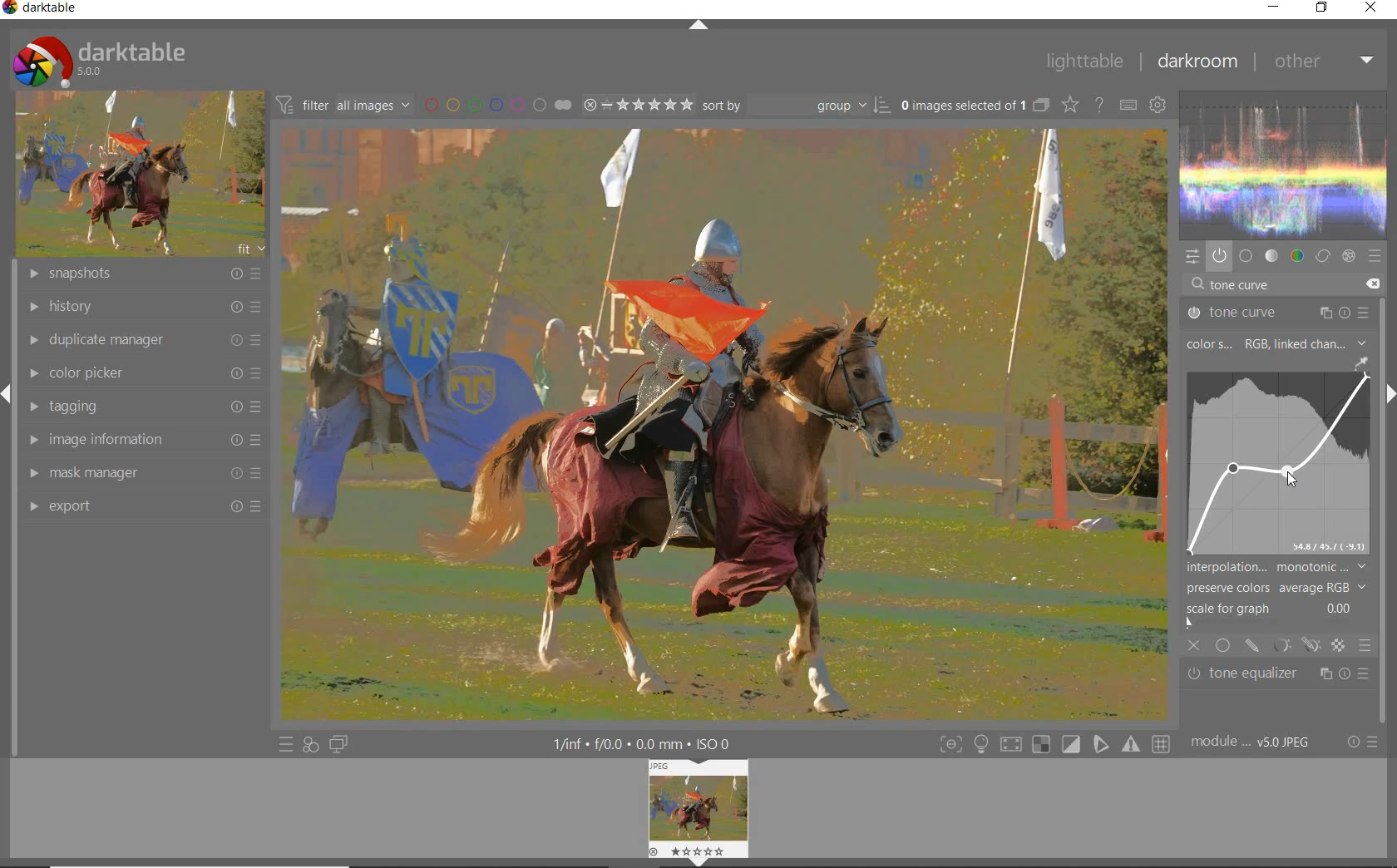 The height and width of the screenshot is (868, 1397). What do you see at coordinates (1275, 345) in the screenshot?
I see `color space` at bounding box center [1275, 345].